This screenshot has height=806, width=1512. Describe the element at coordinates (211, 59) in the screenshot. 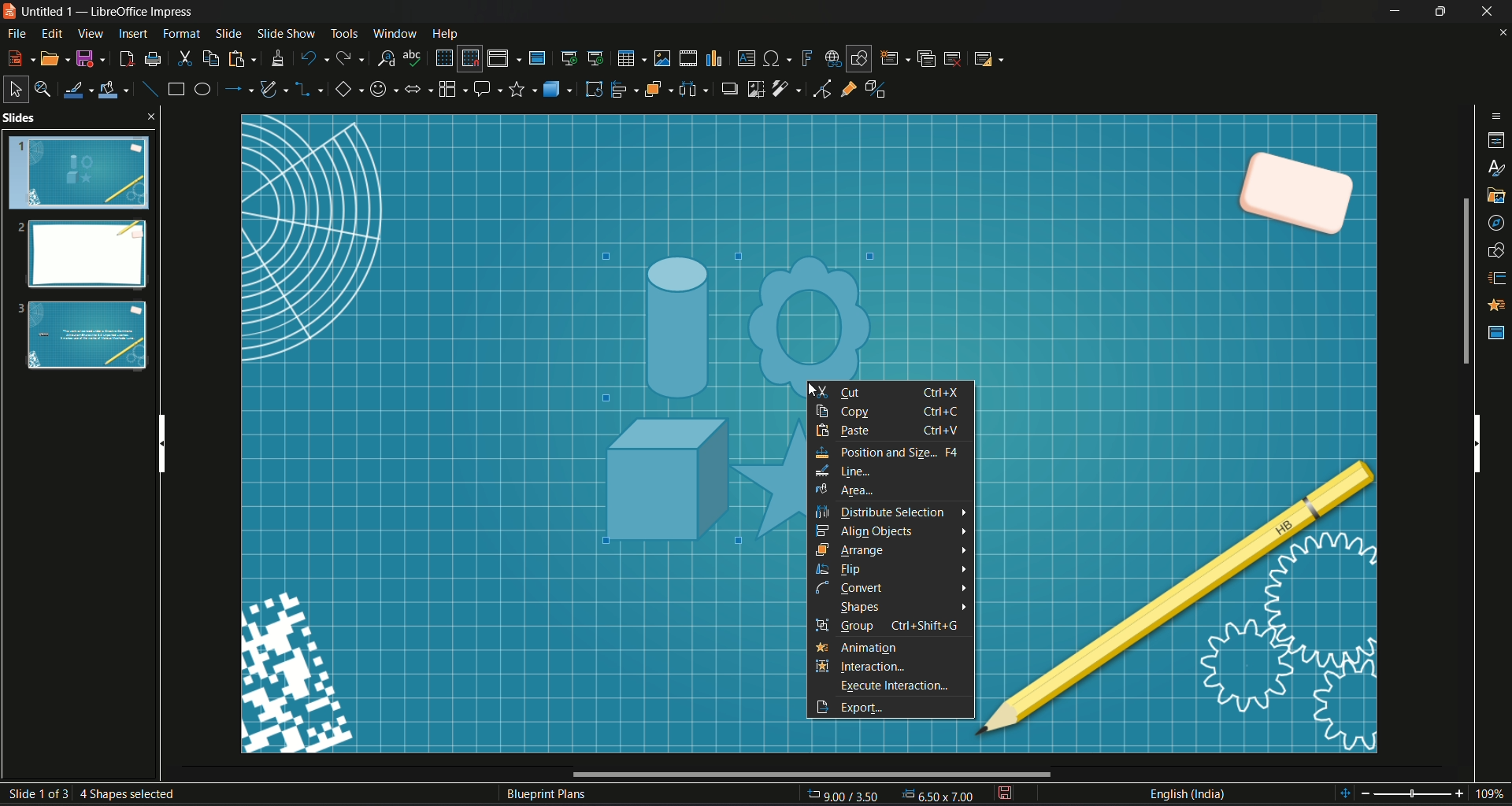

I see `copy ` at that location.